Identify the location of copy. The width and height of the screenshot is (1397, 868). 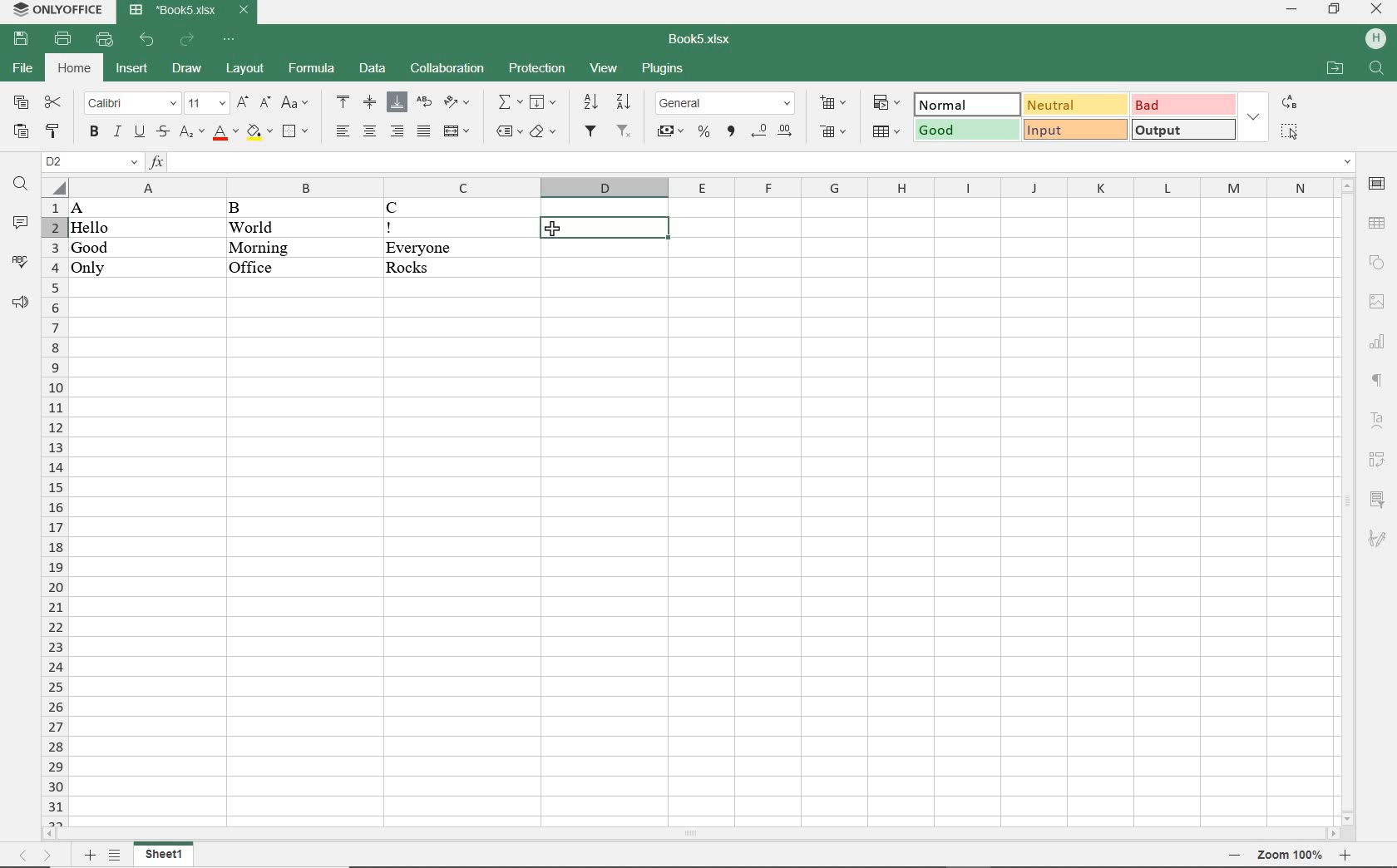
(20, 104).